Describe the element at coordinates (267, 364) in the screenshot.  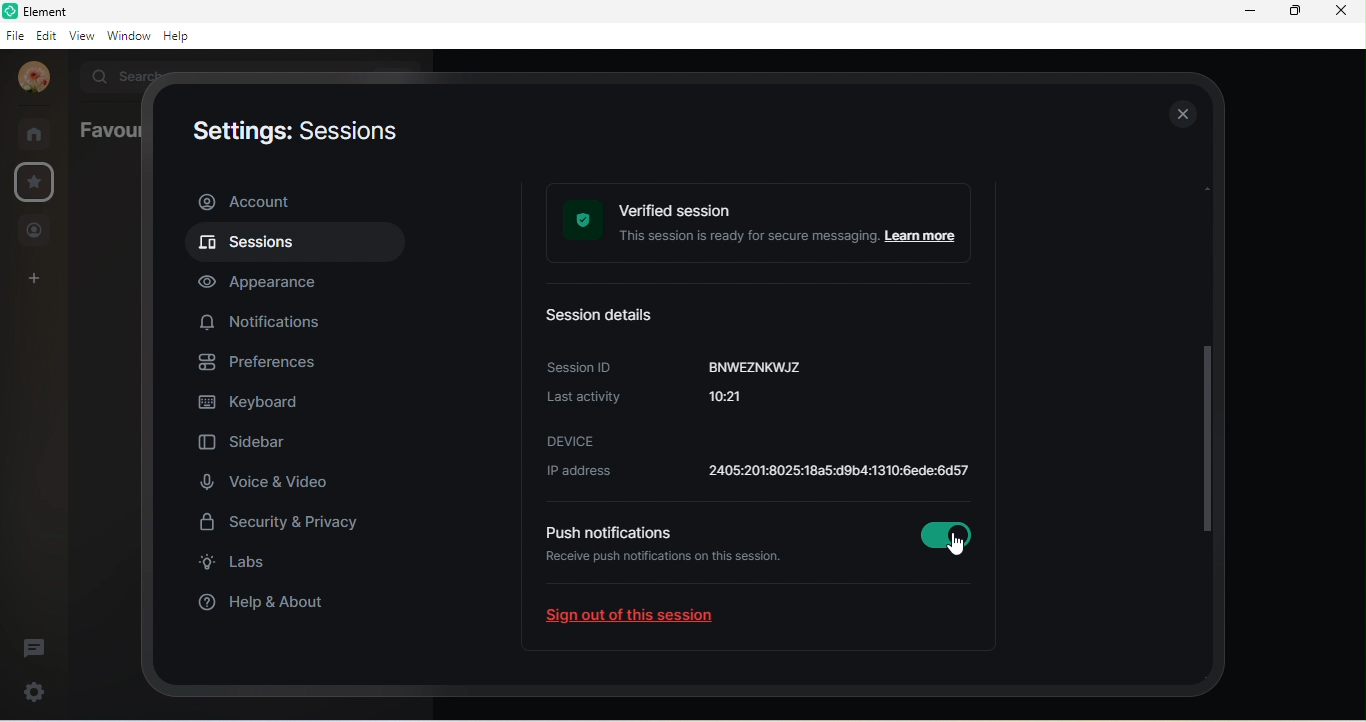
I see `preferences` at that location.